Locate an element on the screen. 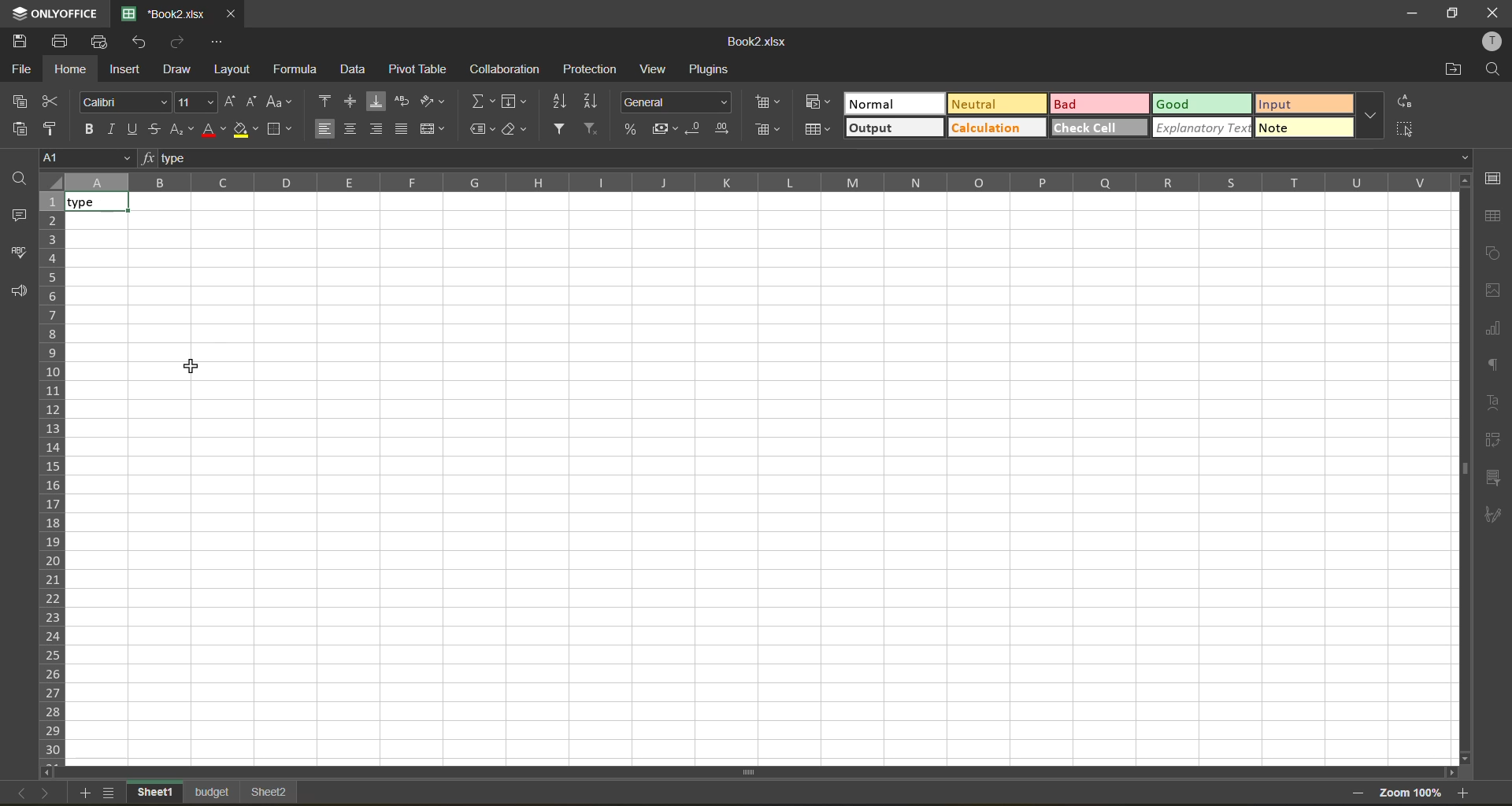  italic is located at coordinates (114, 128).